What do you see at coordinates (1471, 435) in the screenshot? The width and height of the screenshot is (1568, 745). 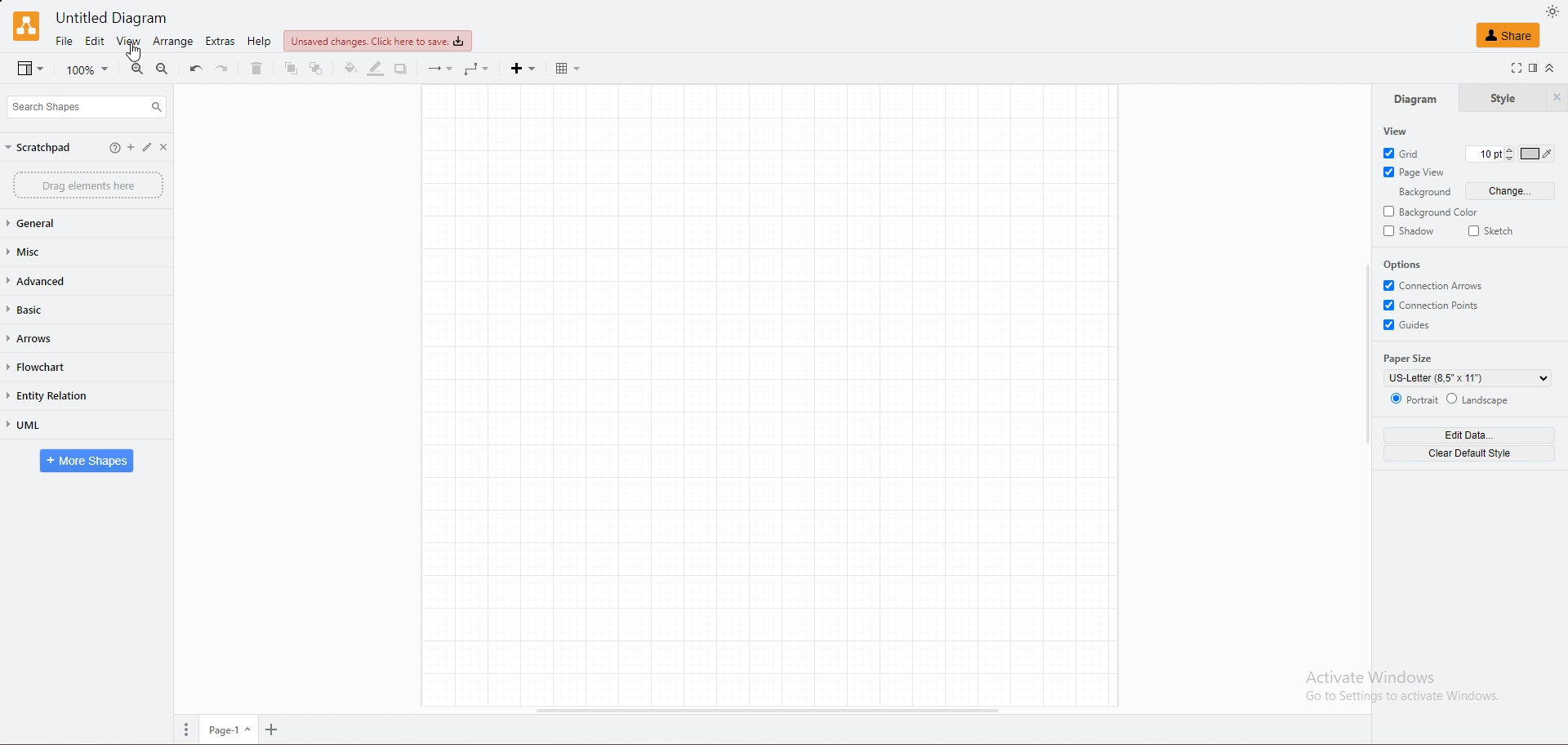 I see `edit data` at bounding box center [1471, 435].